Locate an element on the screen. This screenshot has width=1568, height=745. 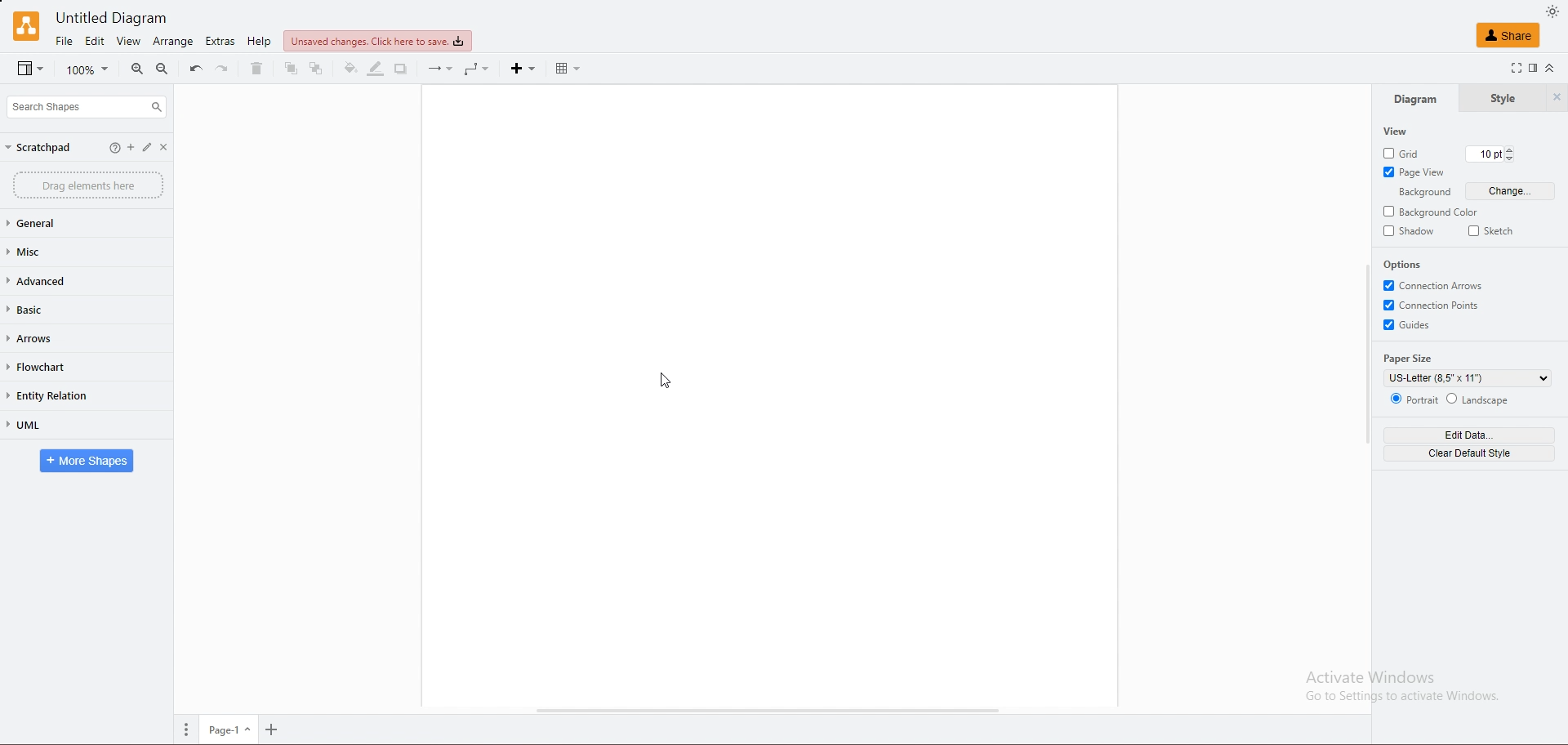
draw.io logo is located at coordinates (26, 27).